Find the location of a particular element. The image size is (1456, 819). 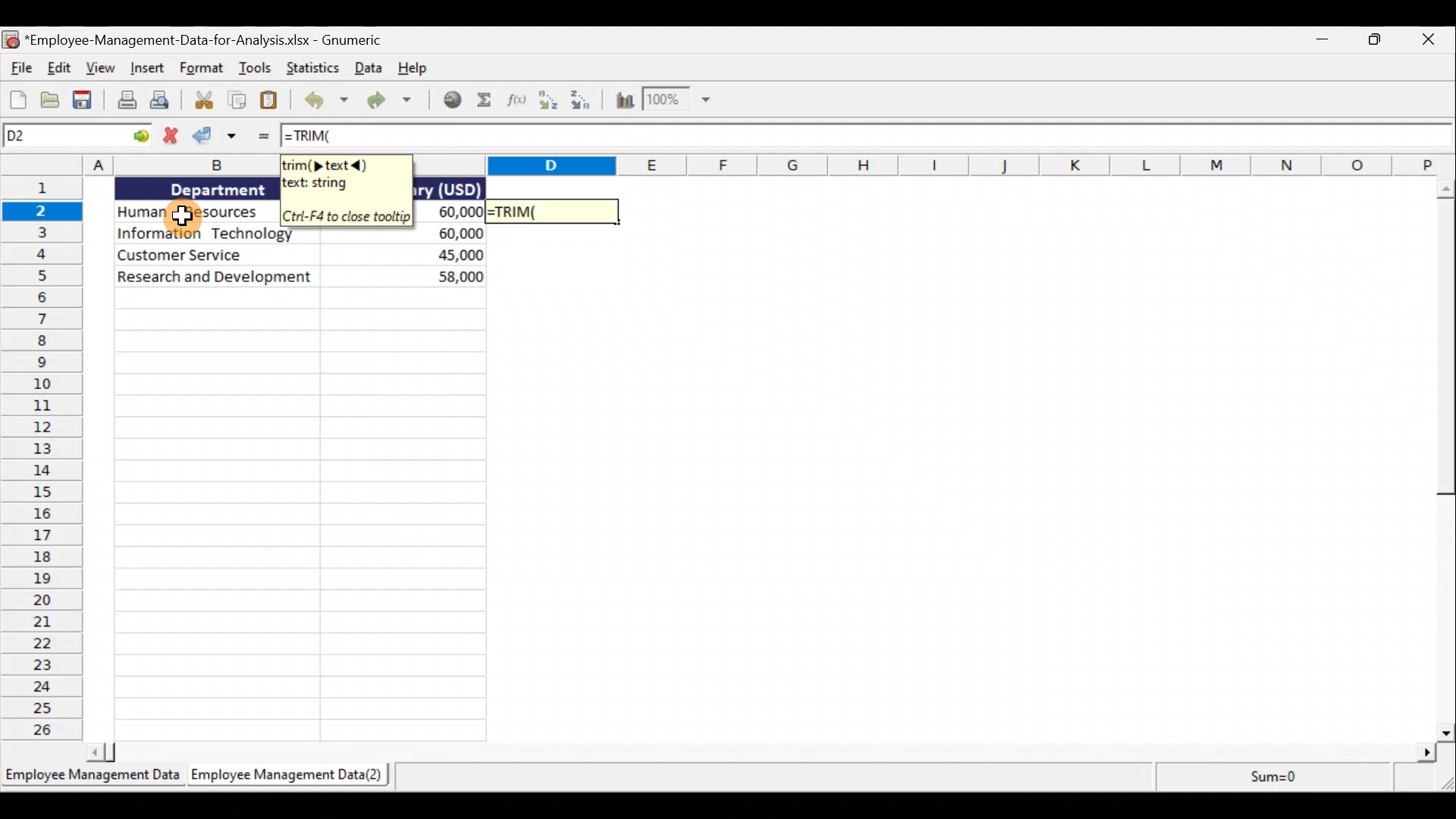

View is located at coordinates (99, 71).